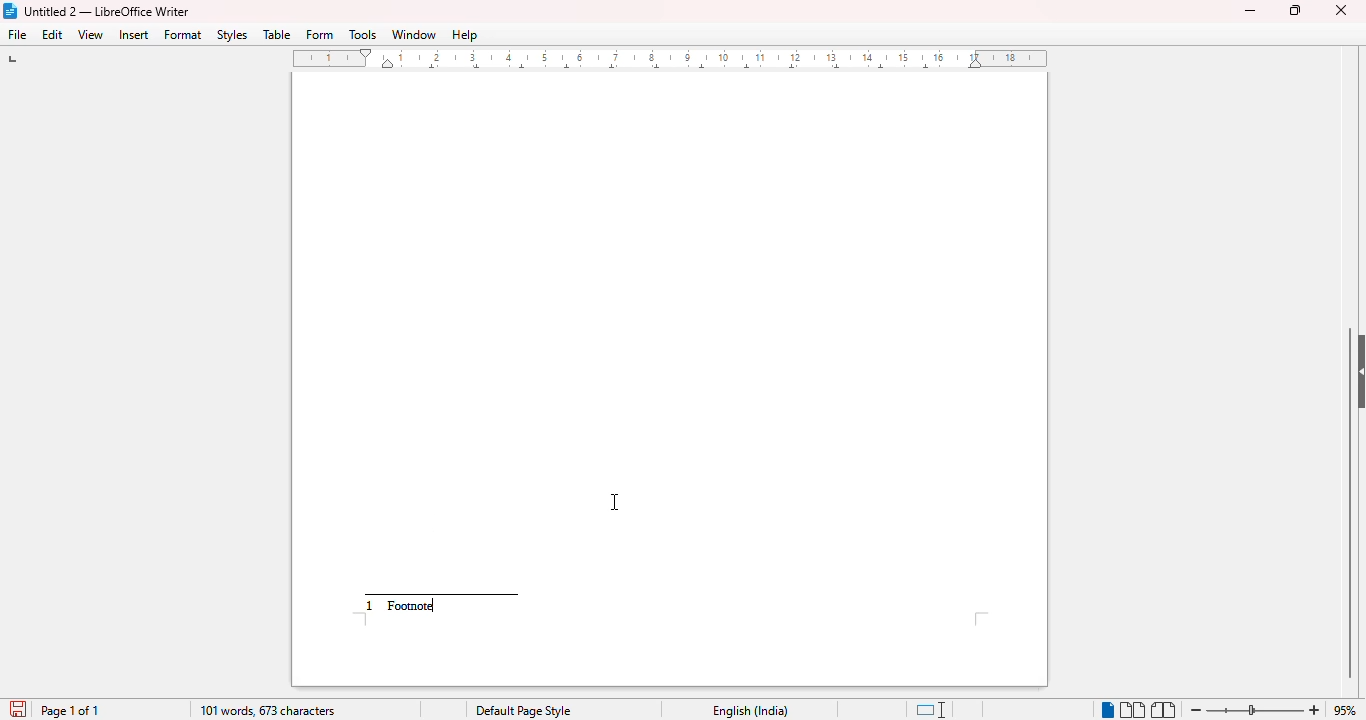  Describe the element at coordinates (183, 34) in the screenshot. I see `format` at that location.